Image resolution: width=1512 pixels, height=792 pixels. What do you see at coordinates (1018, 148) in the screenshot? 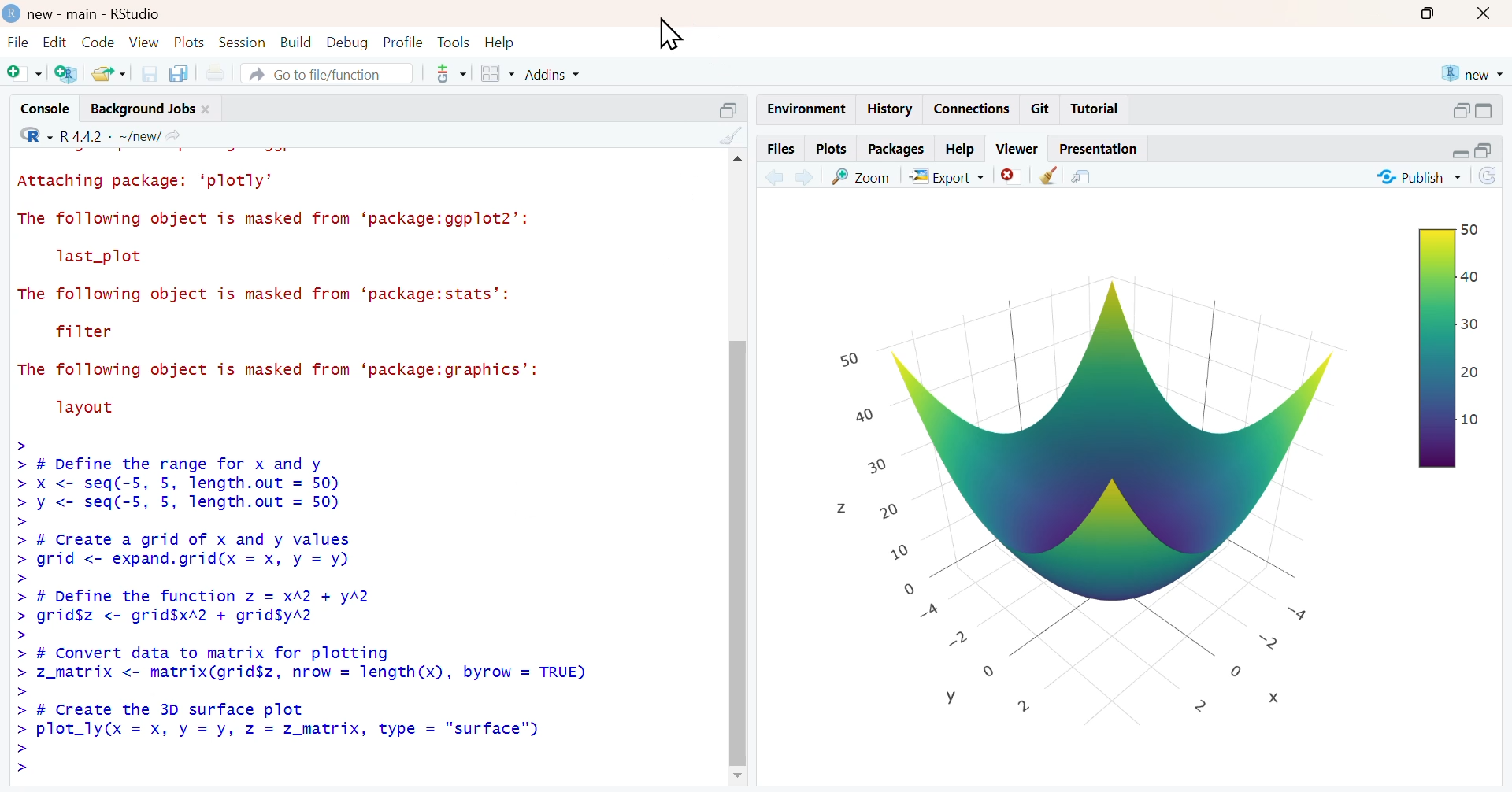
I see `viewer` at bounding box center [1018, 148].